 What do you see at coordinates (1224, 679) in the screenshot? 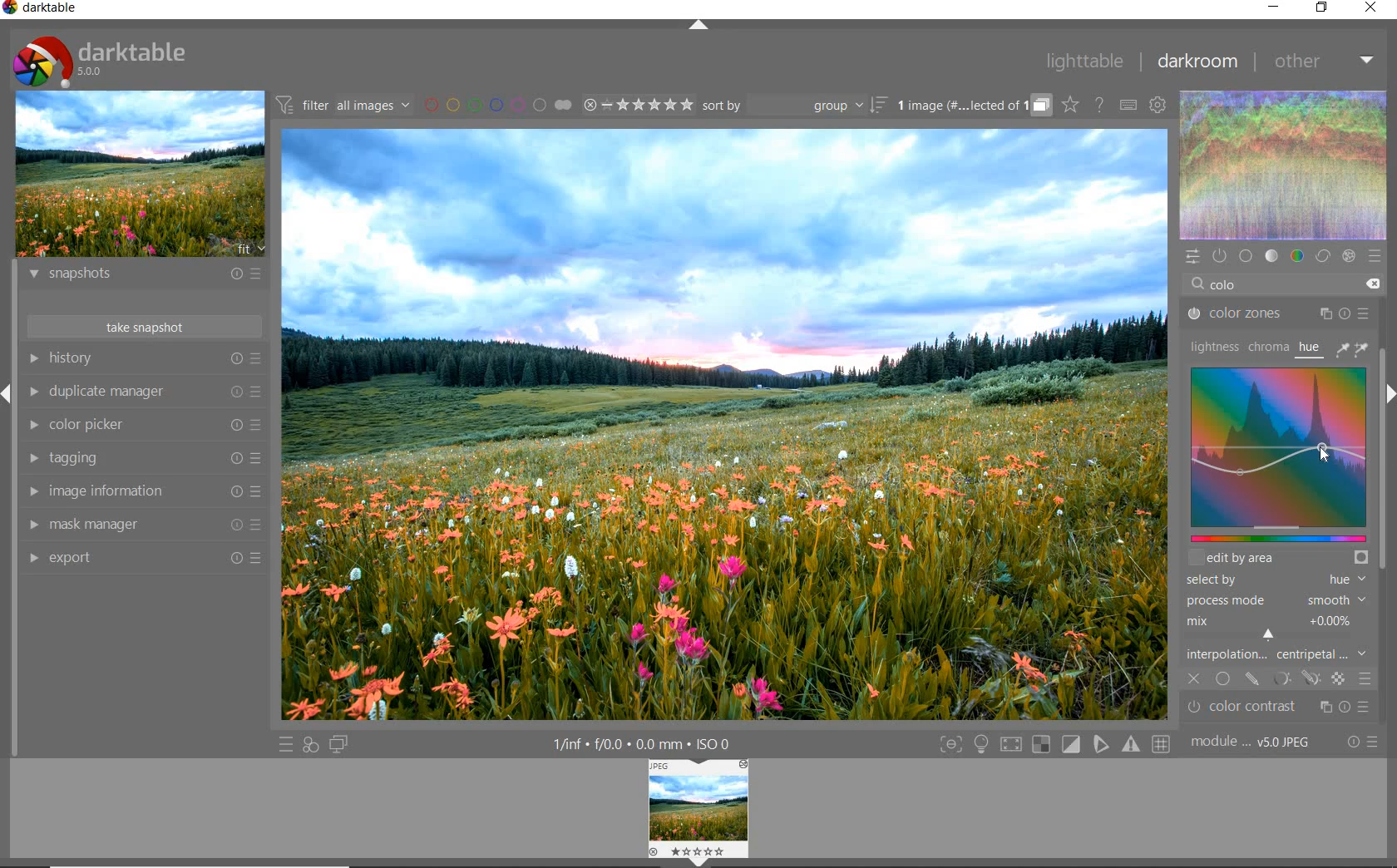
I see `uniformly` at bounding box center [1224, 679].